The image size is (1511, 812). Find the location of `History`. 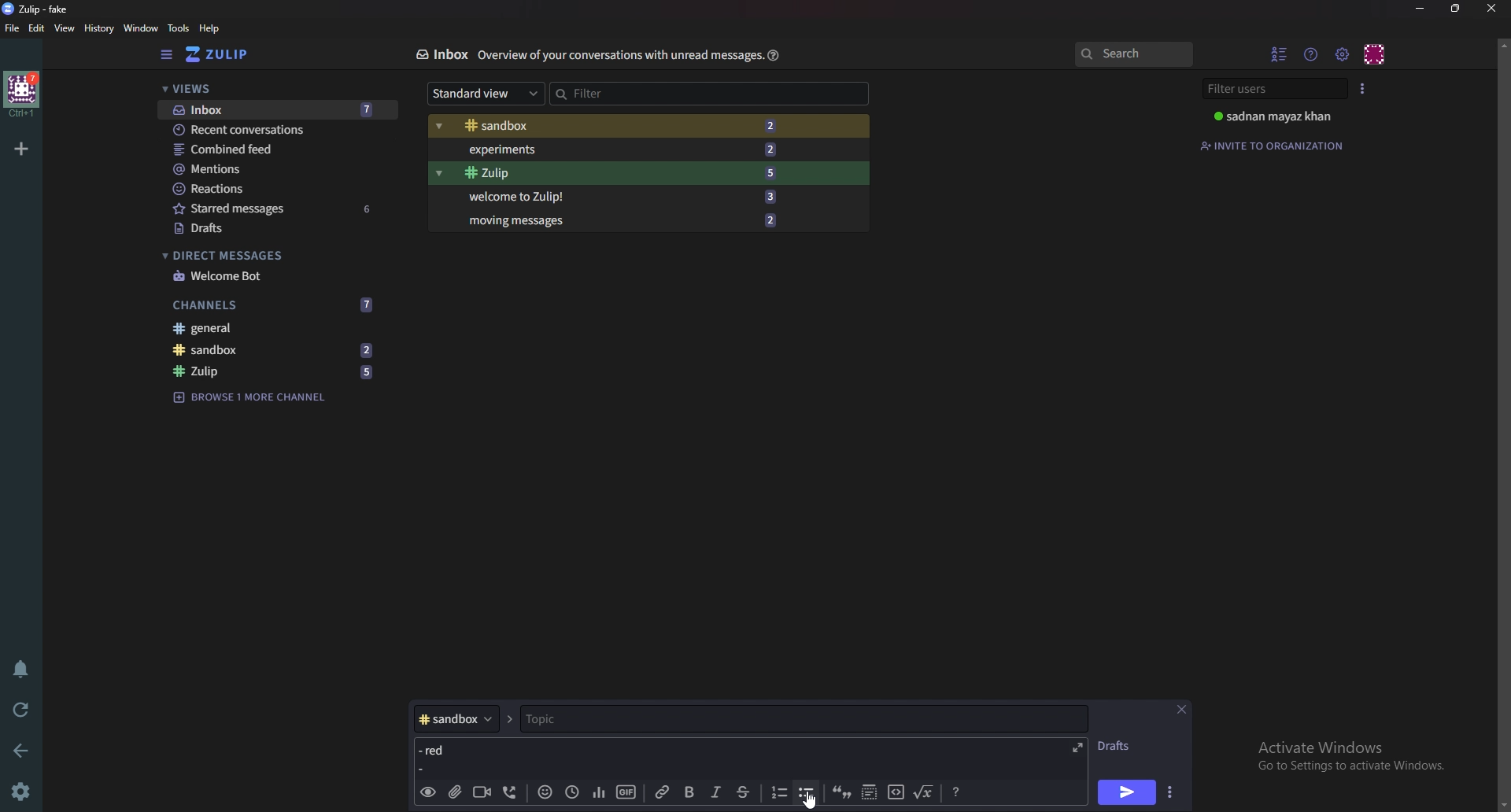

History is located at coordinates (101, 28).